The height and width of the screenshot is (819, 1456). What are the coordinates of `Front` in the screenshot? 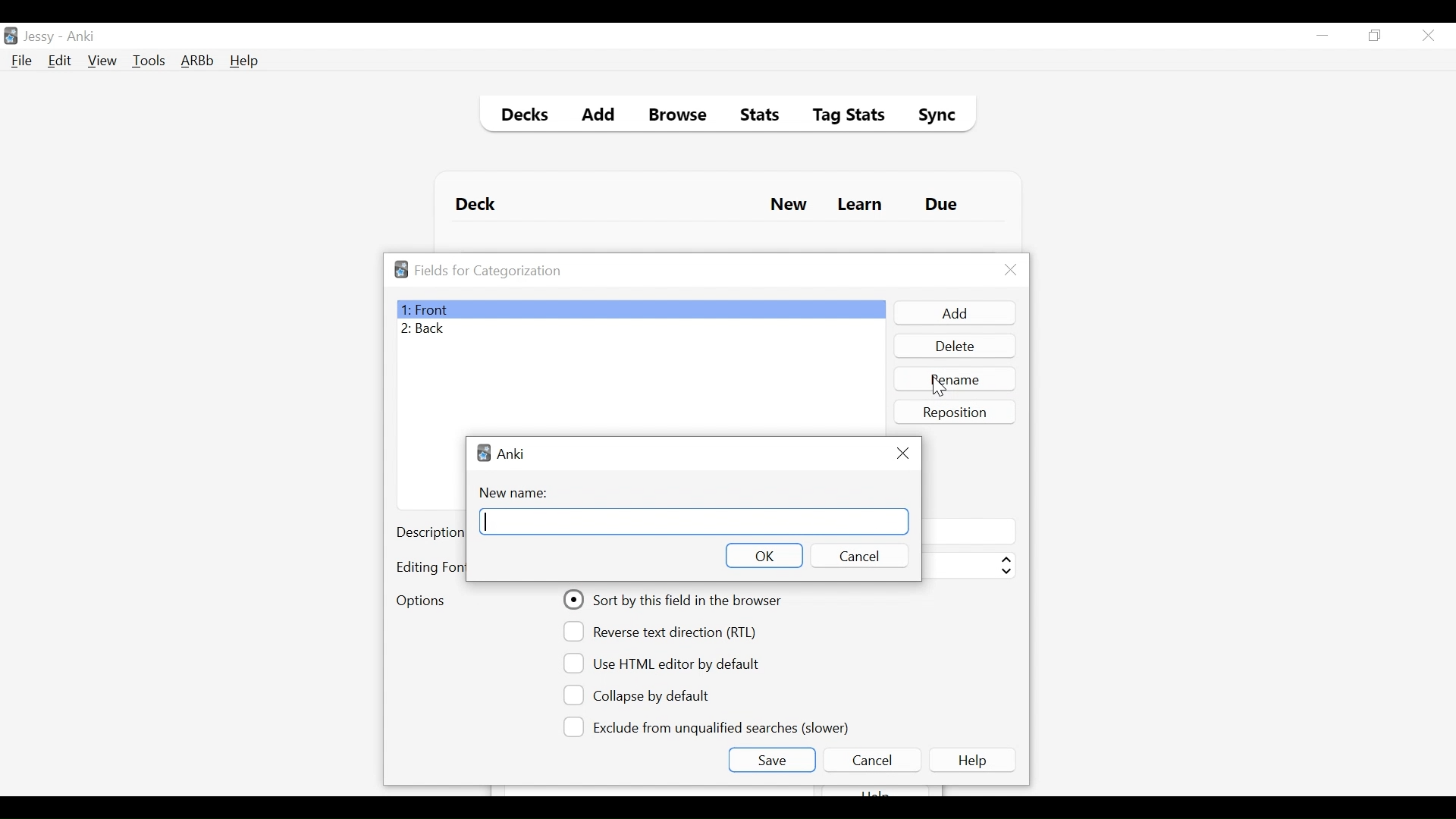 It's located at (640, 309).